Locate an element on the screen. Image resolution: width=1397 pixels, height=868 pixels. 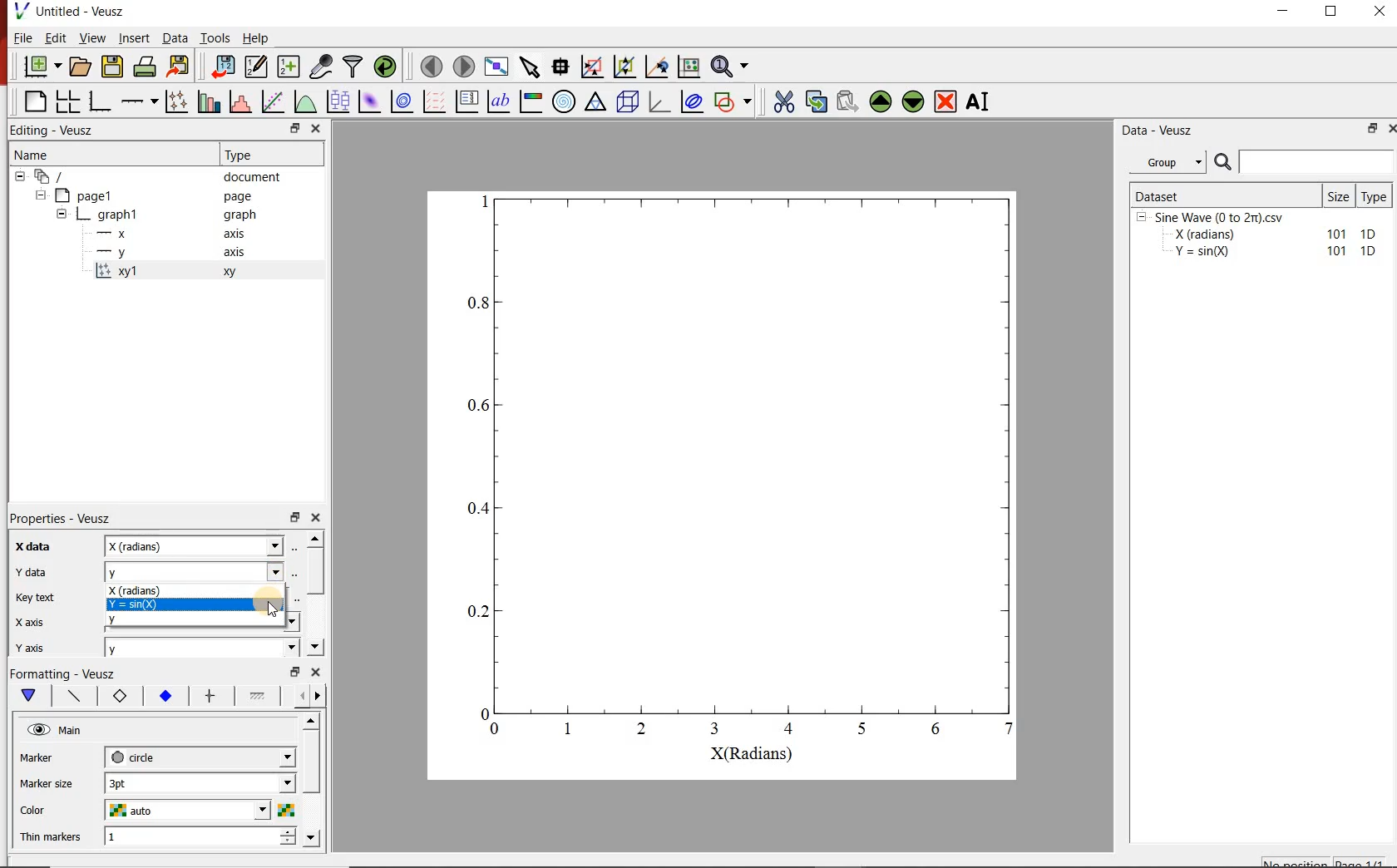
plot box plots is located at coordinates (339, 102).